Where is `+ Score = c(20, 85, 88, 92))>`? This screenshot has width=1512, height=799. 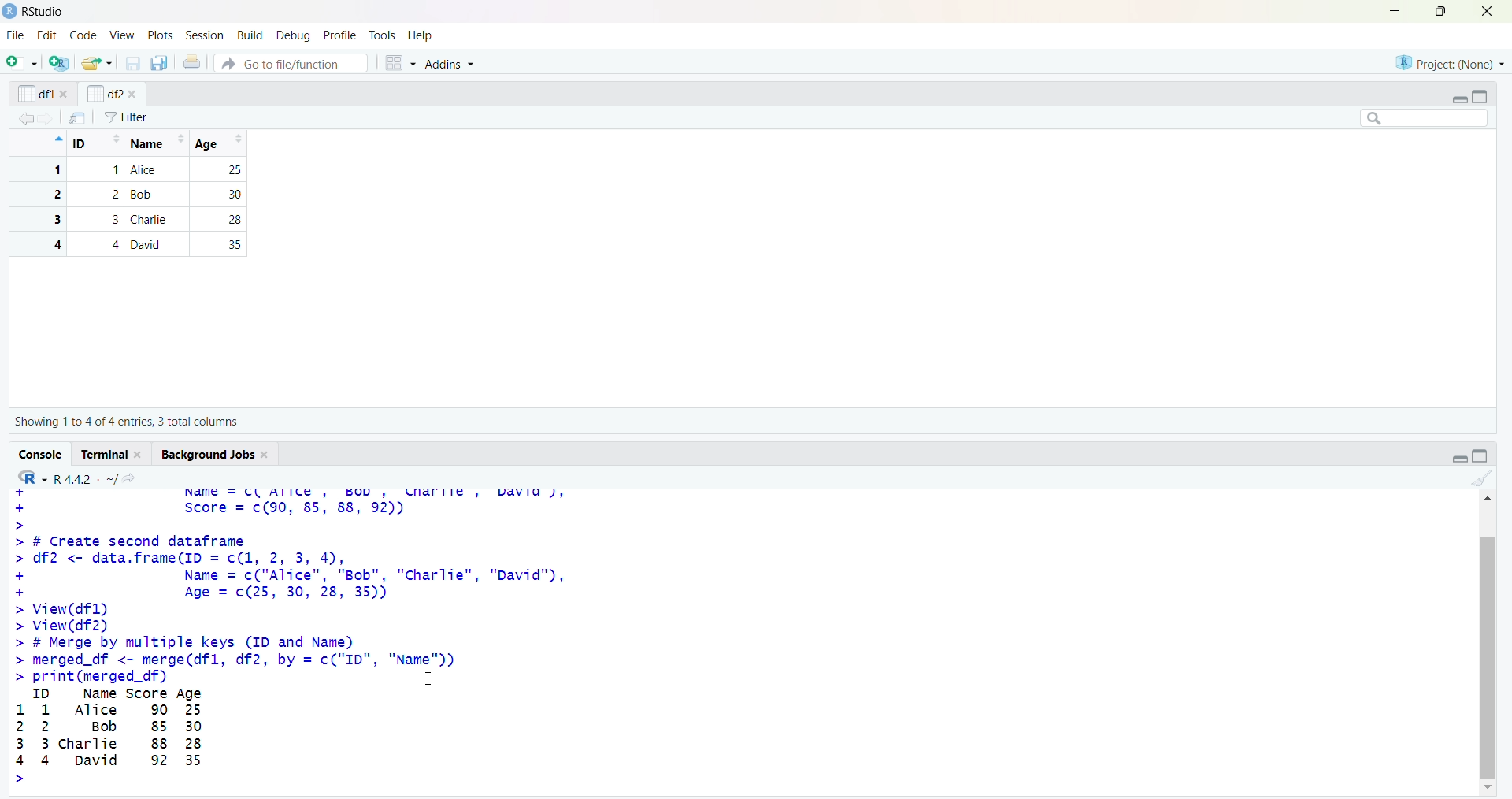 + Score = c(20, 85, 88, 92))> is located at coordinates (216, 515).